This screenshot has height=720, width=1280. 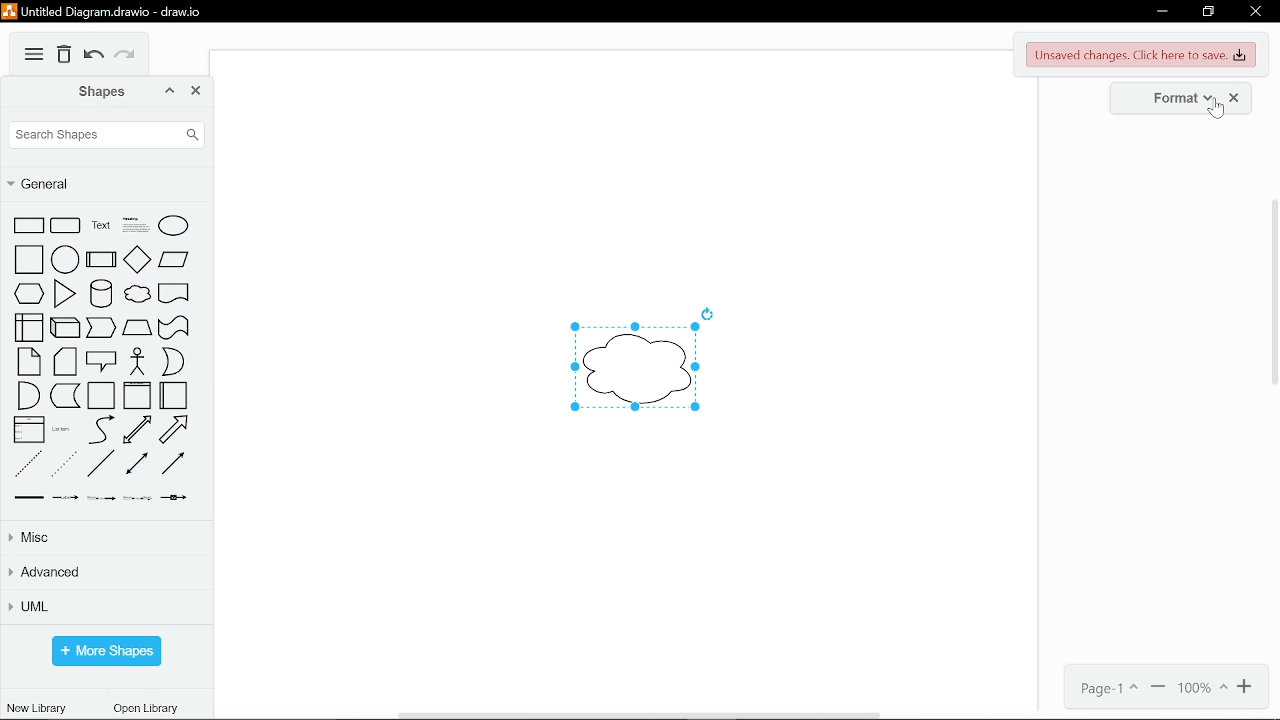 What do you see at coordinates (29, 293) in the screenshot?
I see `hexagon` at bounding box center [29, 293].